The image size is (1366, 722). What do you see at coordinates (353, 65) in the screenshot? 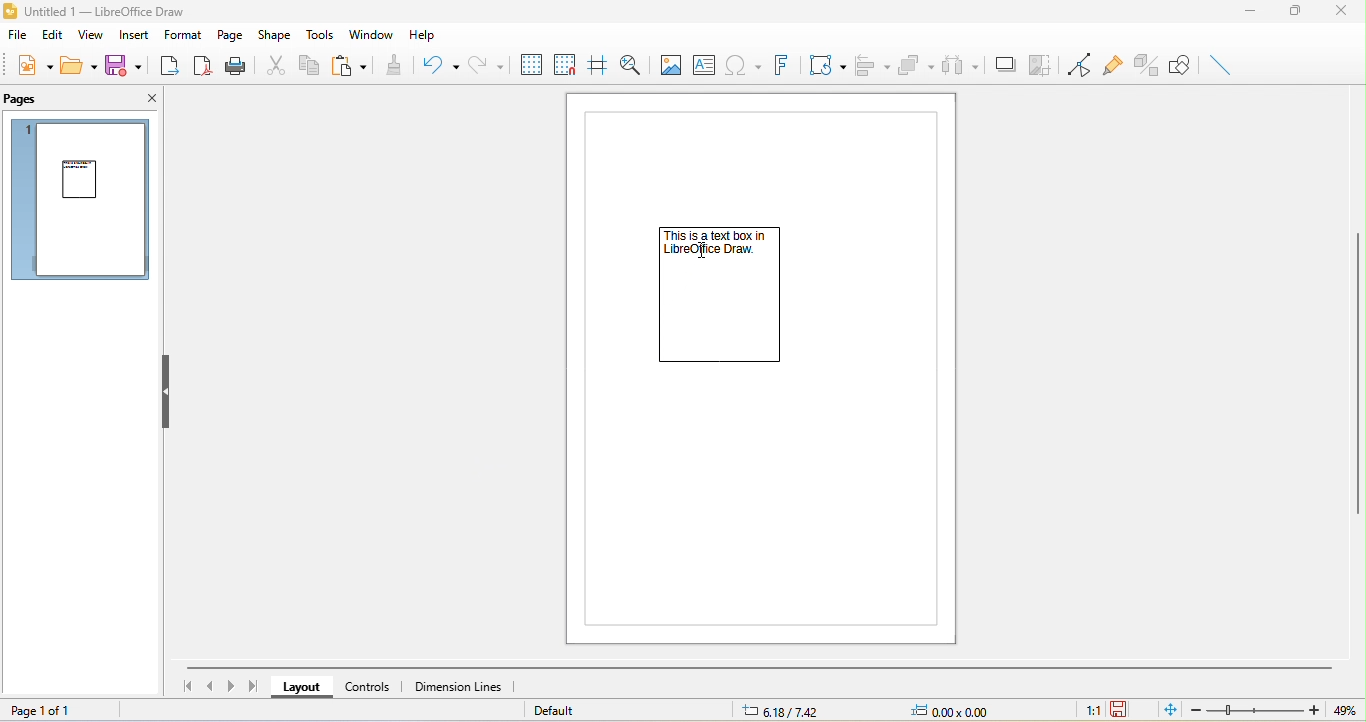
I see `paste` at bounding box center [353, 65].